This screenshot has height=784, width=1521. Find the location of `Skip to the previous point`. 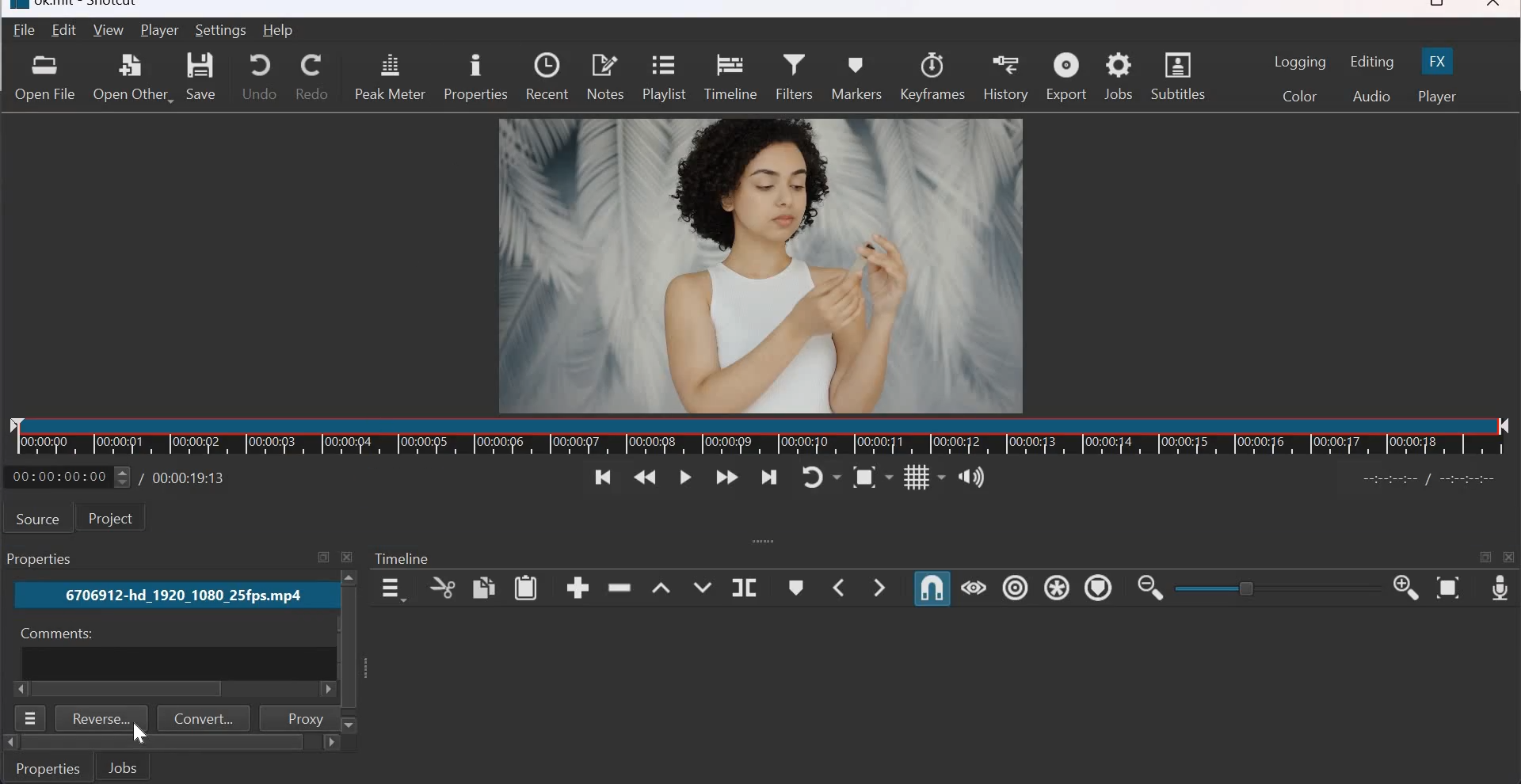

Skip to the previous point is located at coordinates (597, 478).